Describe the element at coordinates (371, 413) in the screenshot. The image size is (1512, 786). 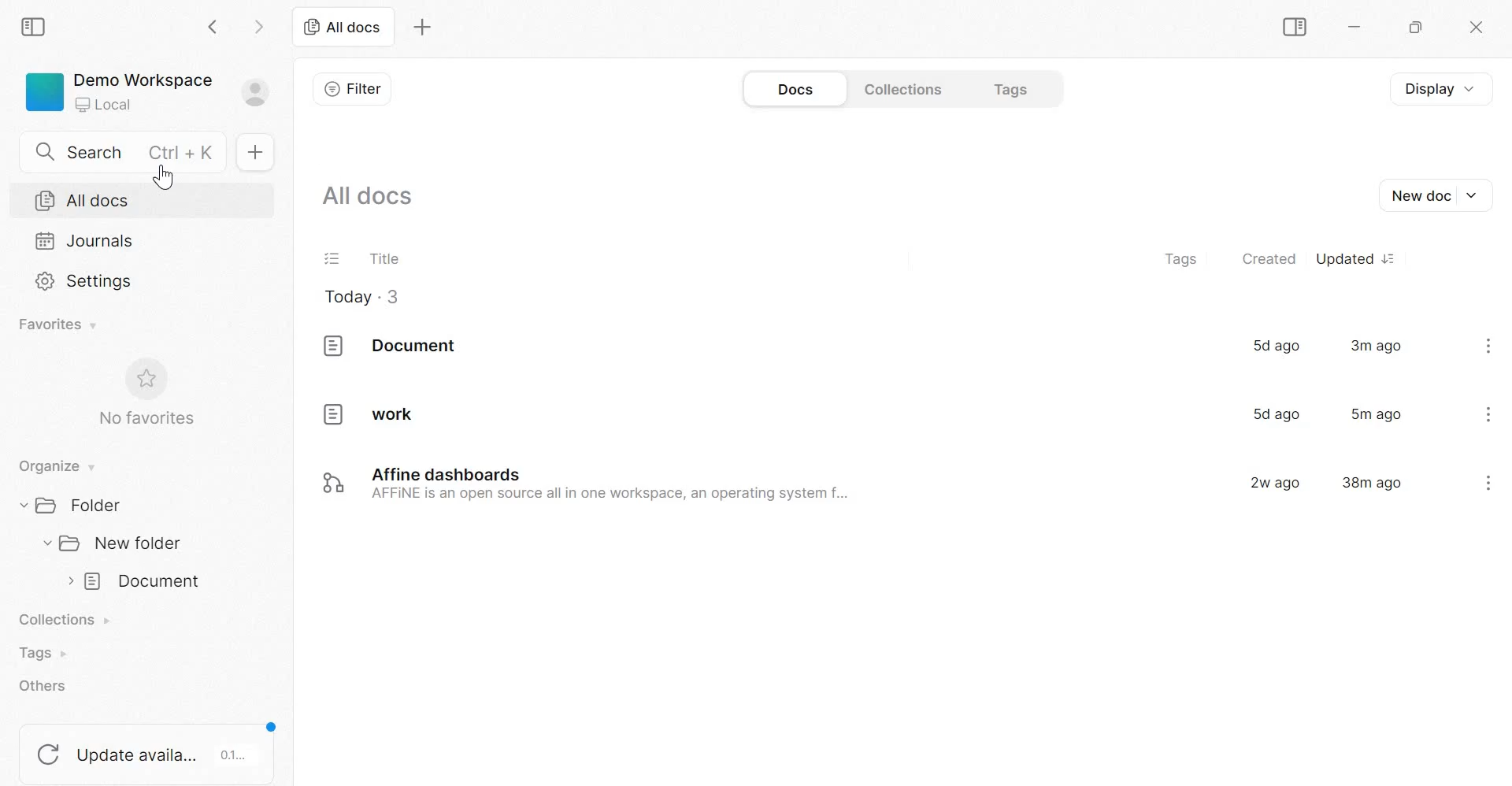
I see `work` at that location.